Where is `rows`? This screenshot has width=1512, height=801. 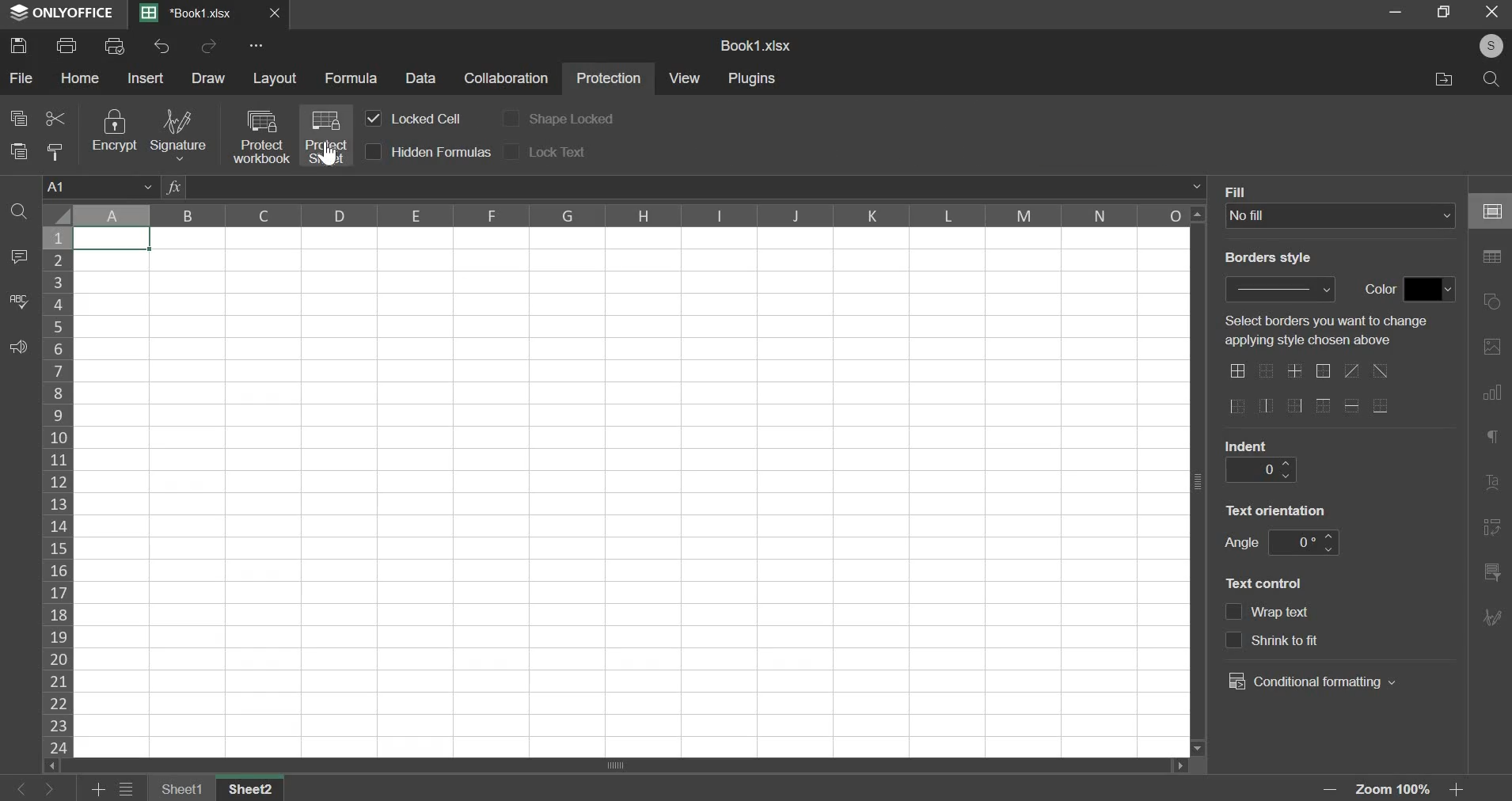 rows is located at coordinates (58, 490).